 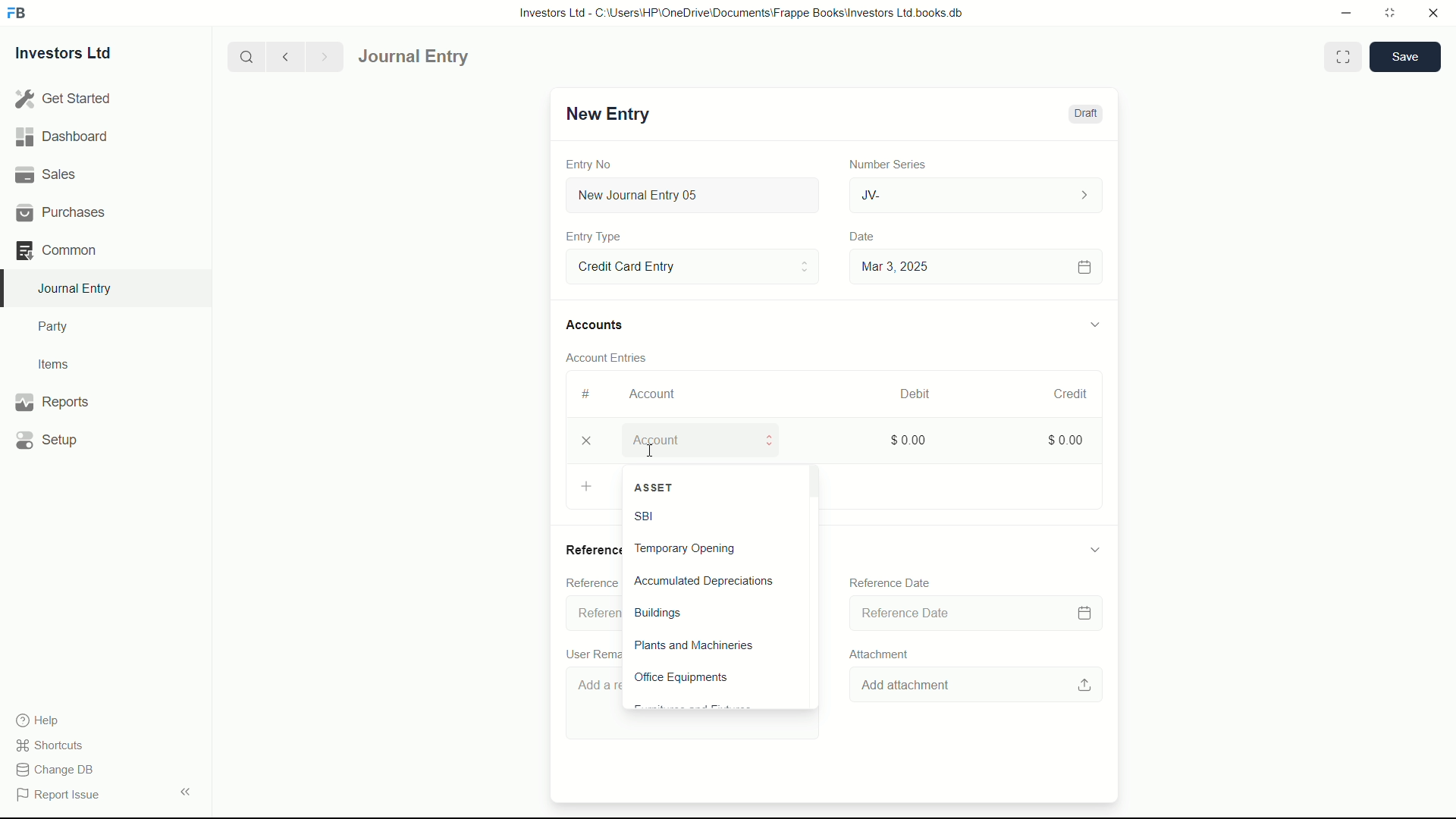 I want to click on delete, so click(x=585, y=443).